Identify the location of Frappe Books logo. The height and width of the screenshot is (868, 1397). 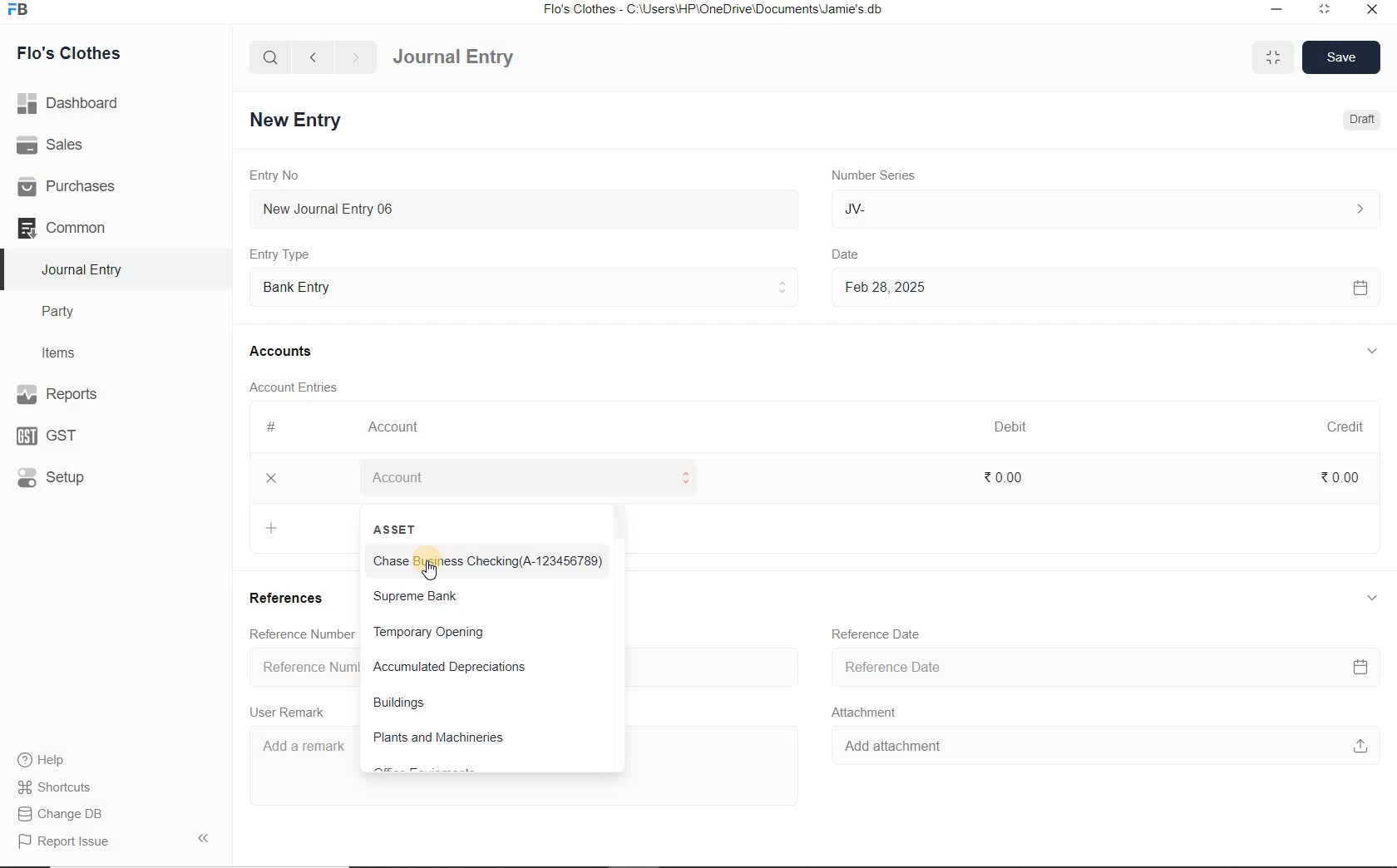
(22, 12).